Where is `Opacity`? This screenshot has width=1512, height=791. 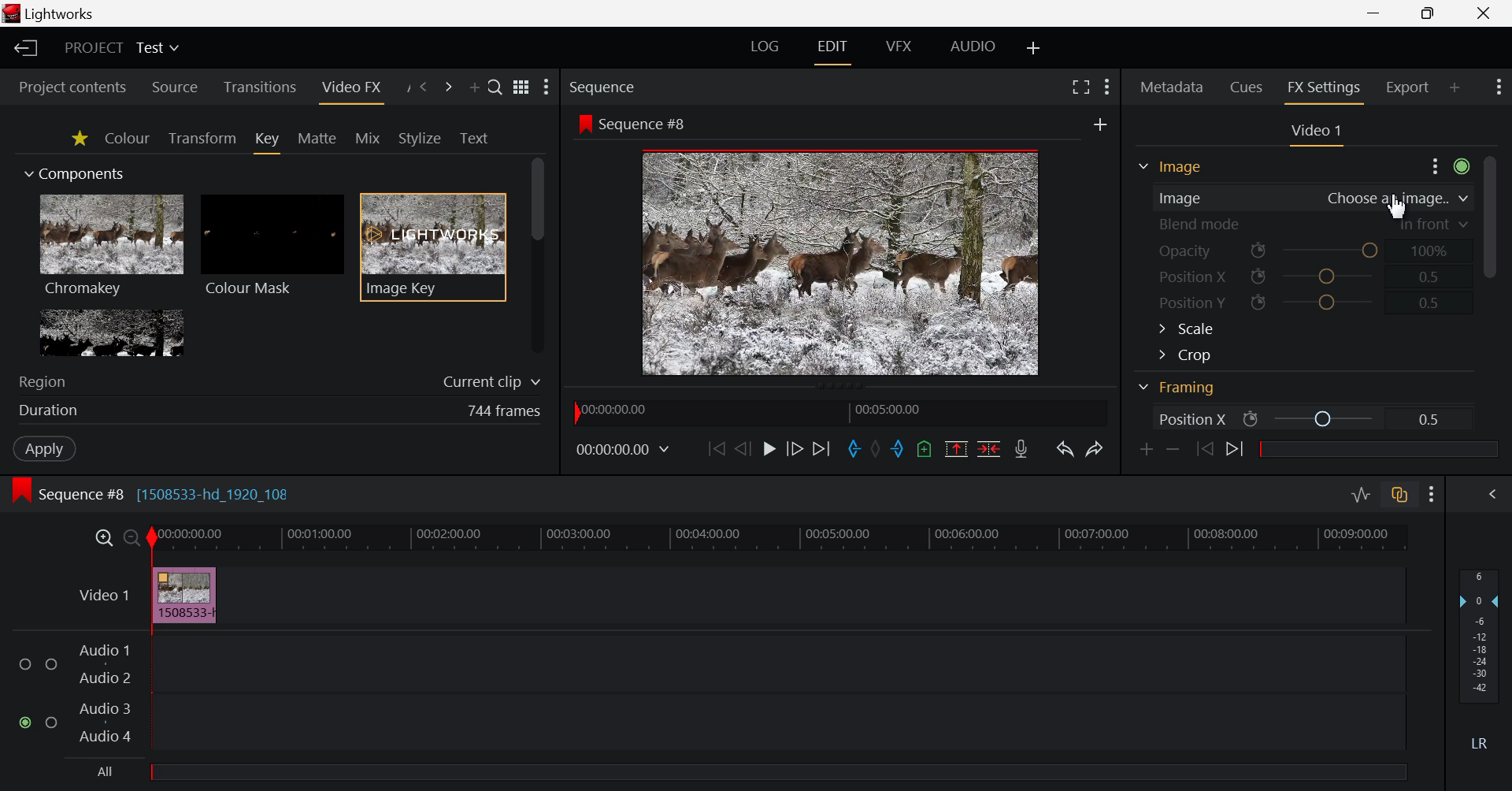
Opacity is located at coordinates (1185, 249).